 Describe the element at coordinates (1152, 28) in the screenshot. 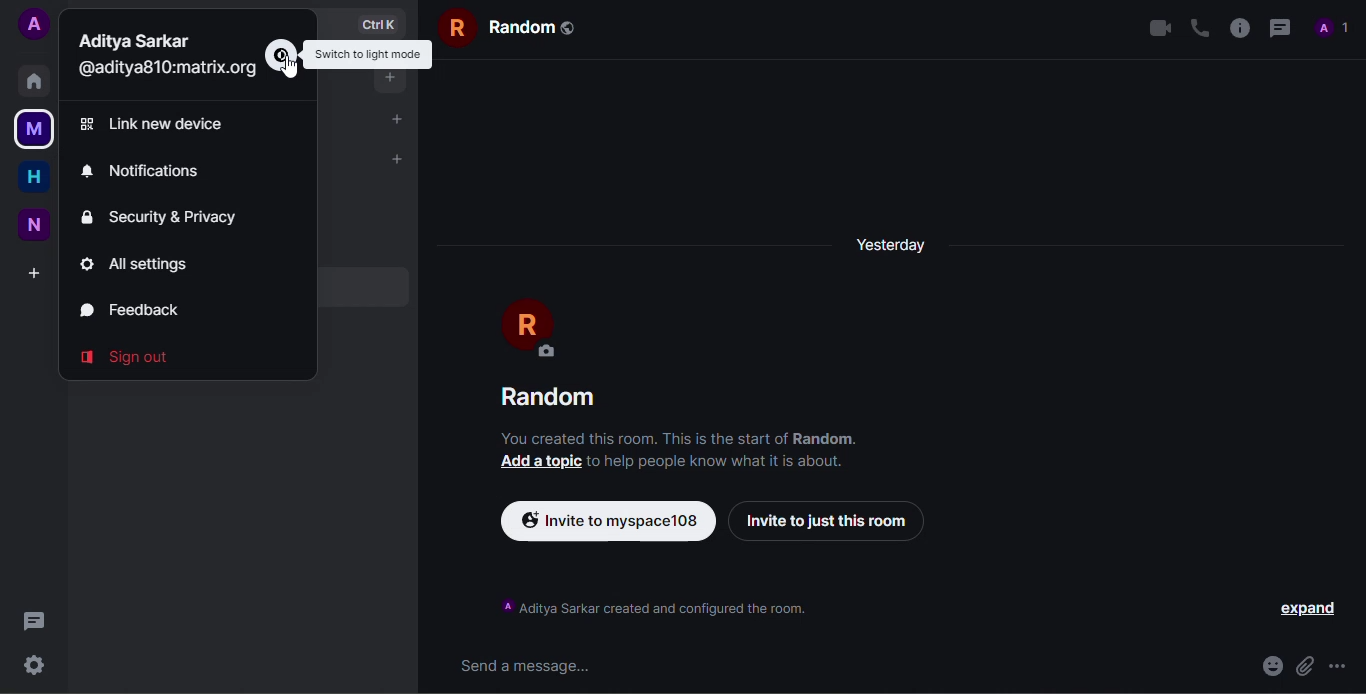

I see `video call` at that location.